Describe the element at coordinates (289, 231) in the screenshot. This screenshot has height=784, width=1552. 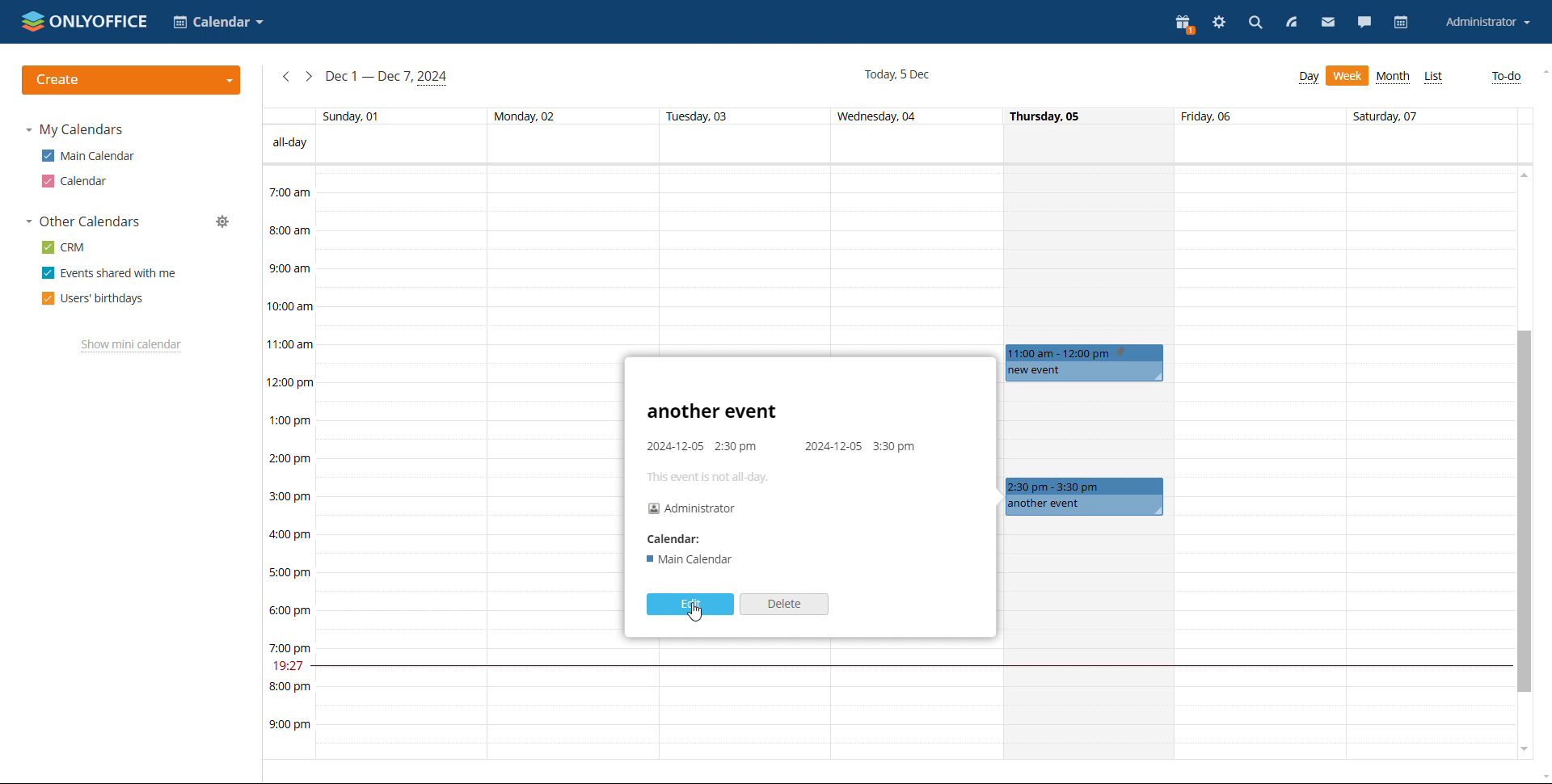
I see `8:00 am` at that location.